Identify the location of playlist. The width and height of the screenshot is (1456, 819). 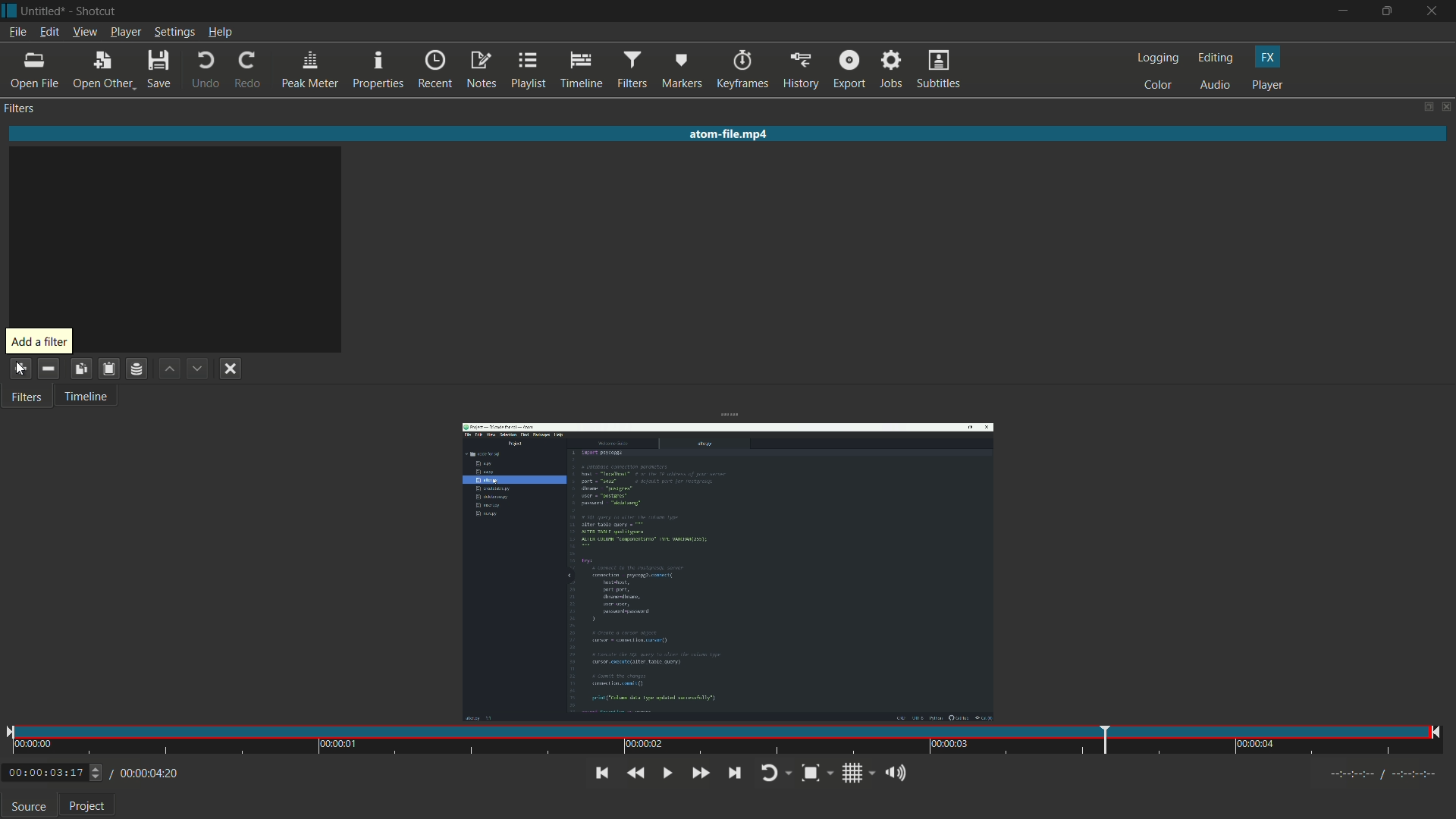
(529, 71).